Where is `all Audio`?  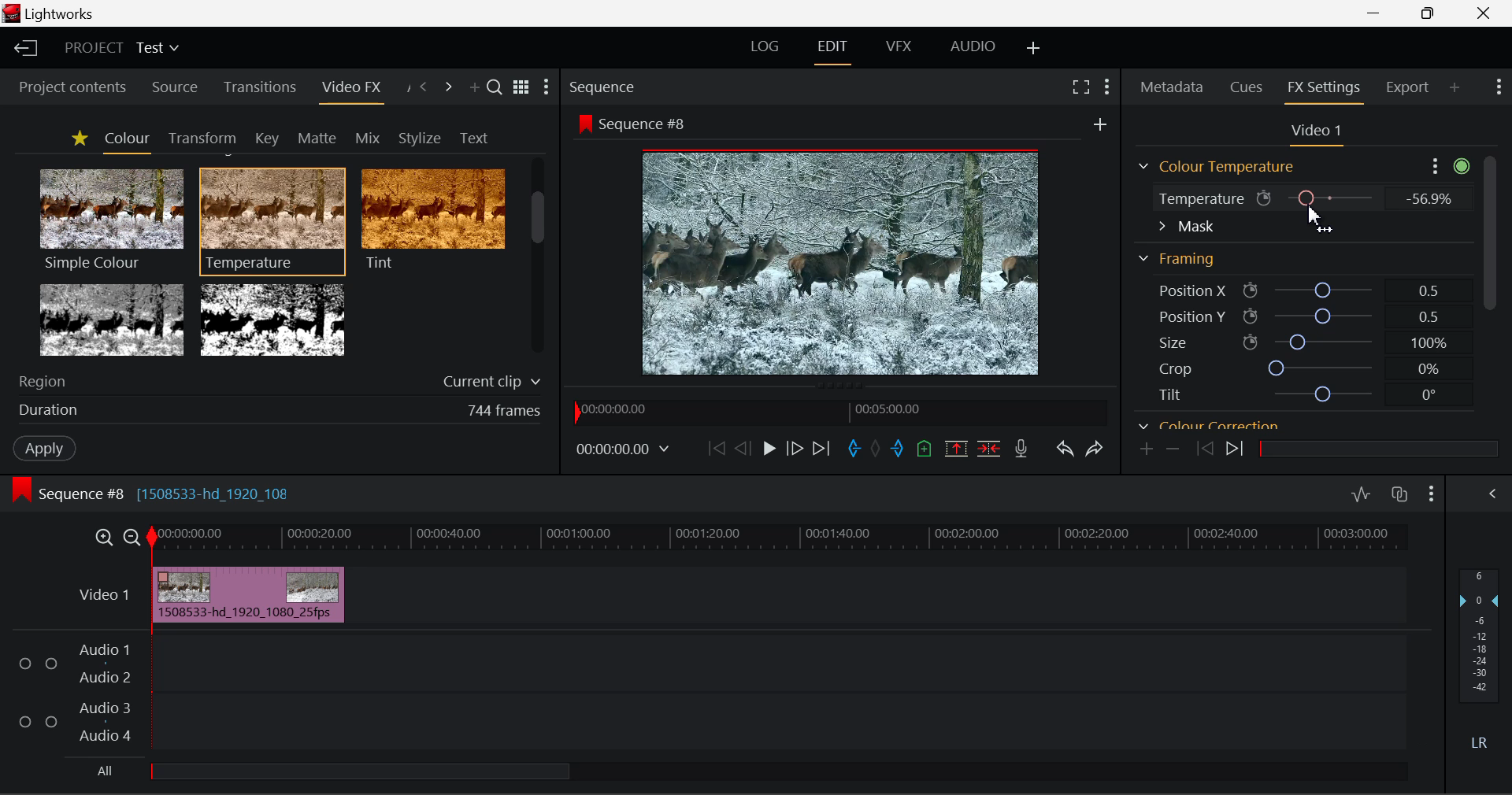 all Audio is located at coordinates (361, 770).